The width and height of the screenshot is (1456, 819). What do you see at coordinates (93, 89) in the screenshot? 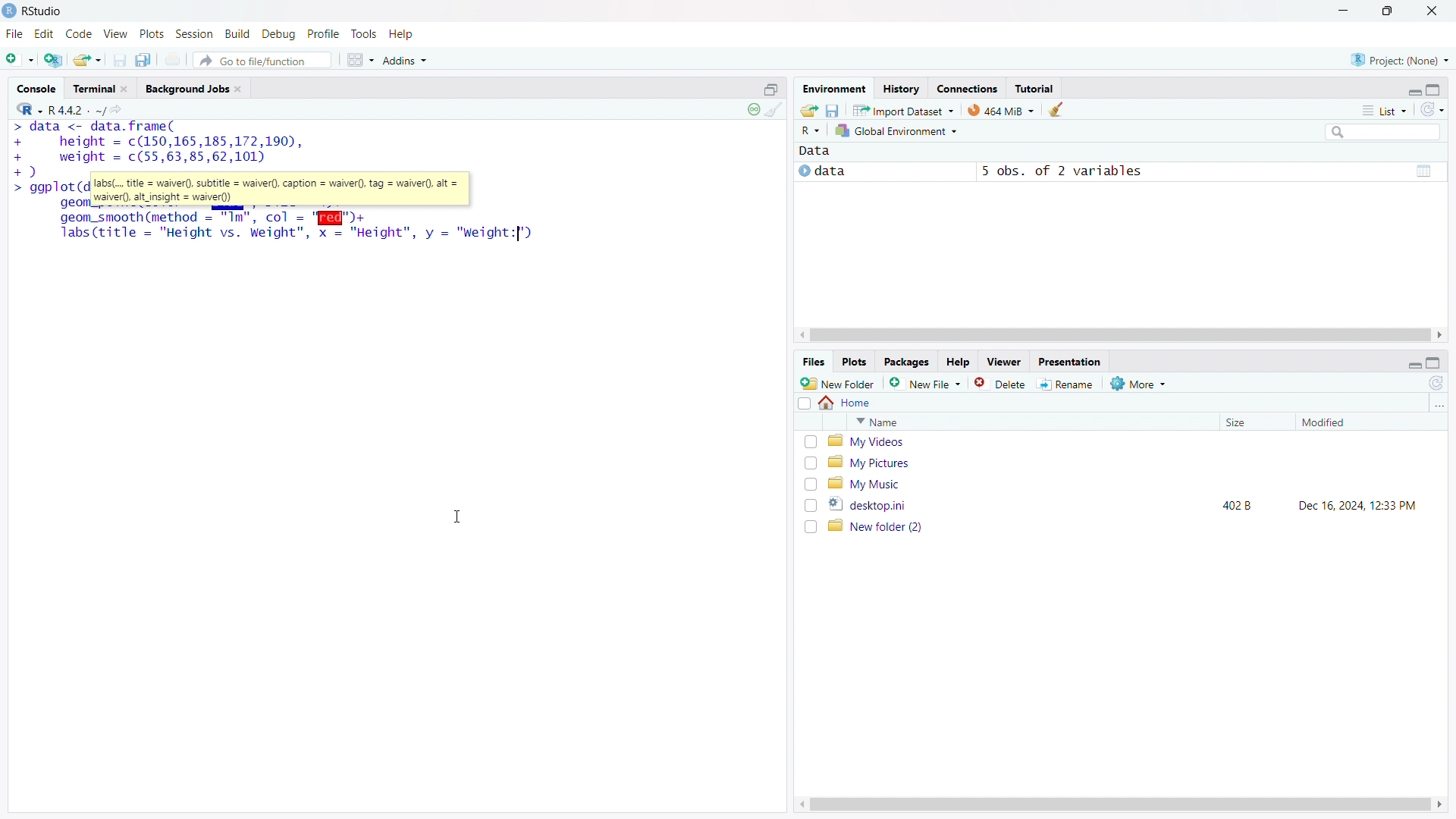
I see `terminal` at bounding box center [93, 89].